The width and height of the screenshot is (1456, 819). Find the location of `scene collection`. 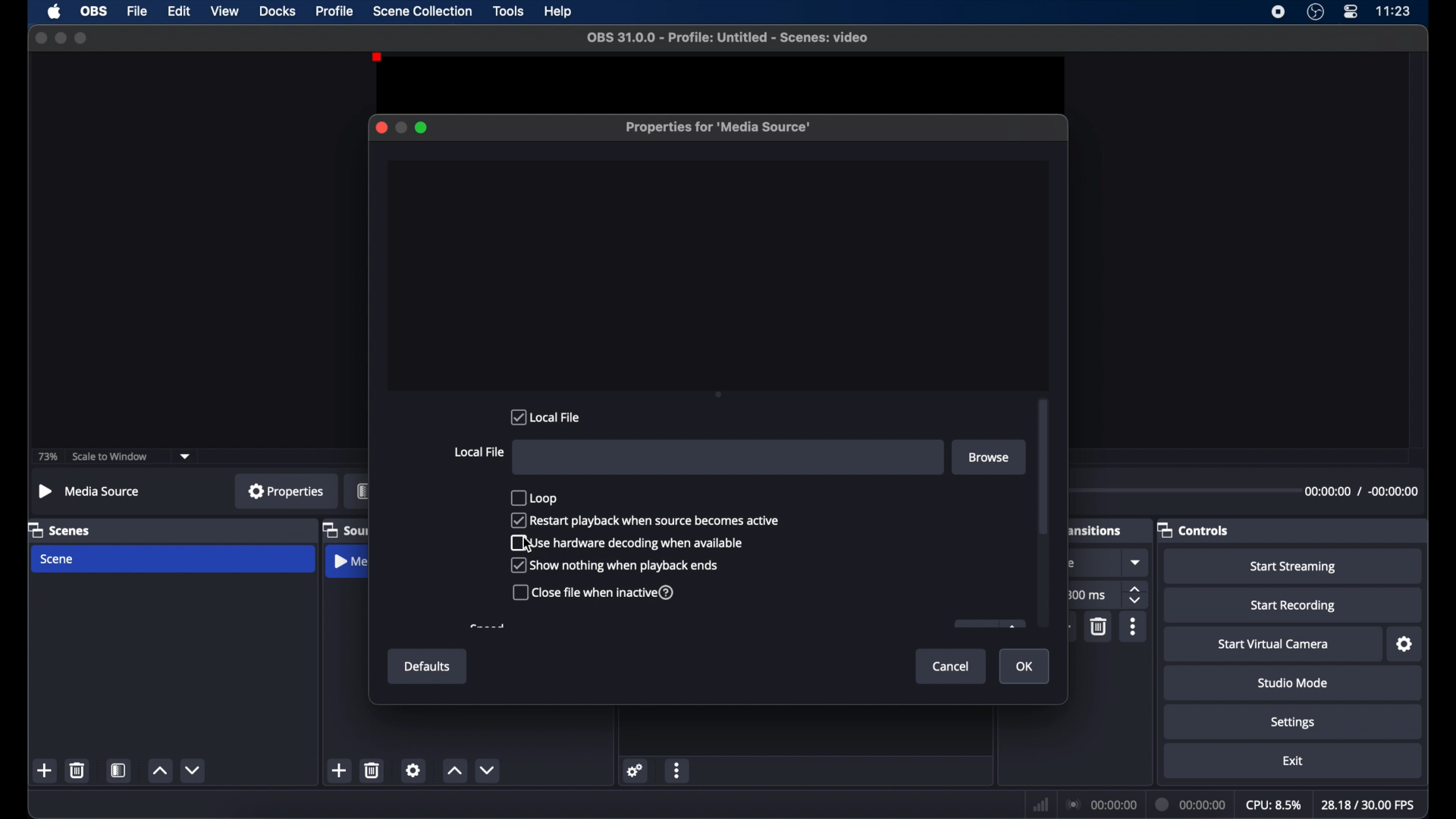

scene collection is located at coordinates (422, 11).